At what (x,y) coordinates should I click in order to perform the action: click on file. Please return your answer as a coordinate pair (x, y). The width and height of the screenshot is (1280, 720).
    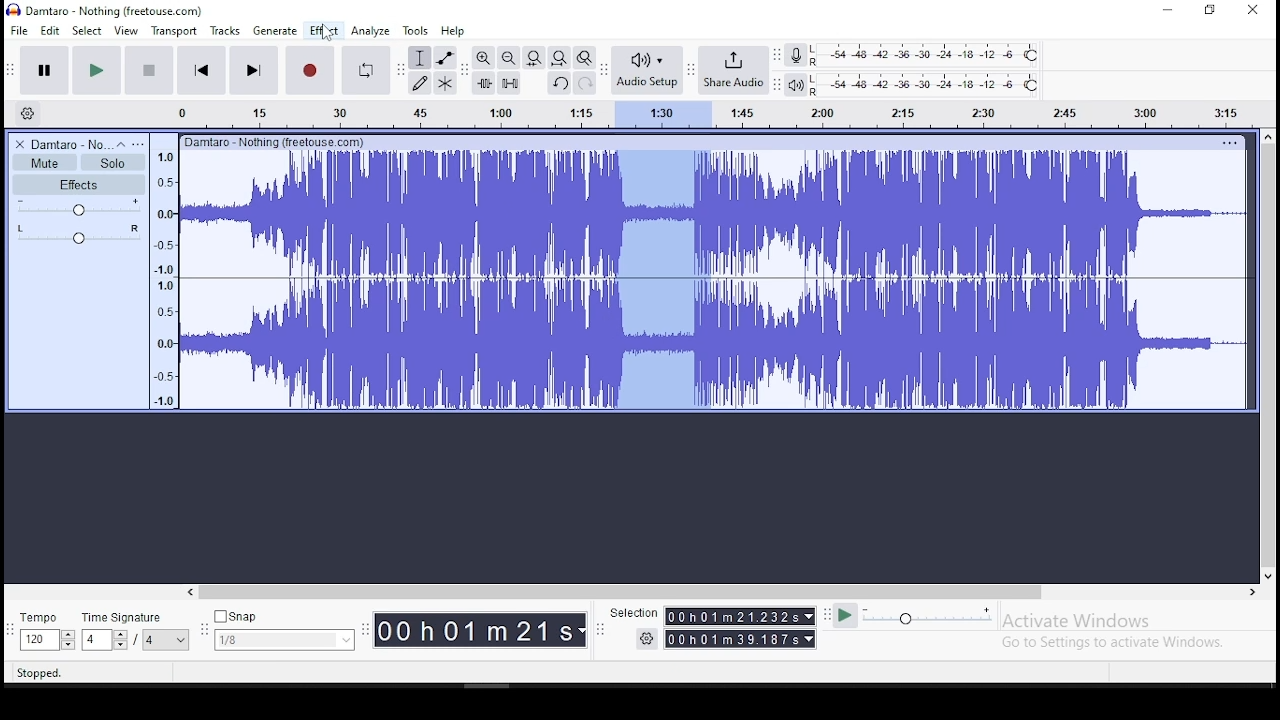
    Looking at the image, I should click on (21, 30).